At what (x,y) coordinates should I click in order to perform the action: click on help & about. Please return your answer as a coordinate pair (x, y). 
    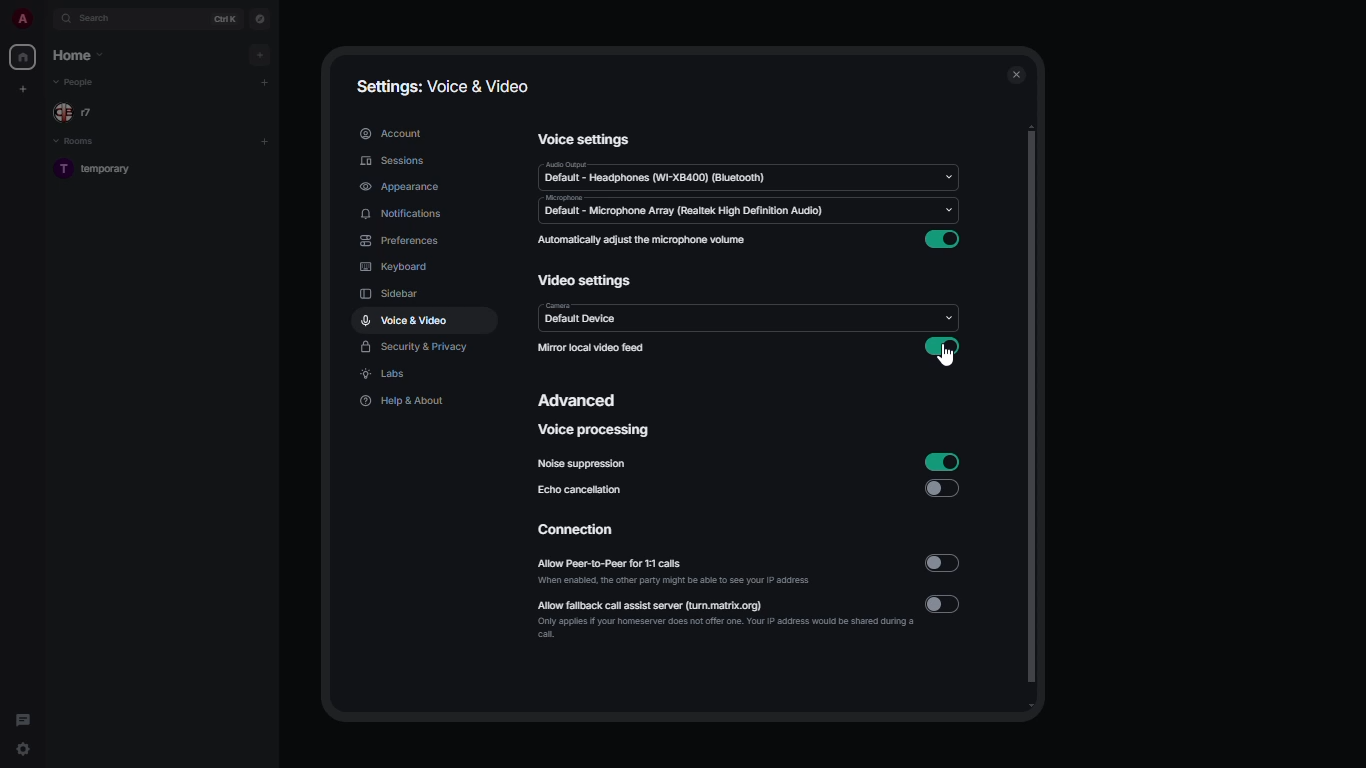
    Looking at the image, I should click on (403, 402).